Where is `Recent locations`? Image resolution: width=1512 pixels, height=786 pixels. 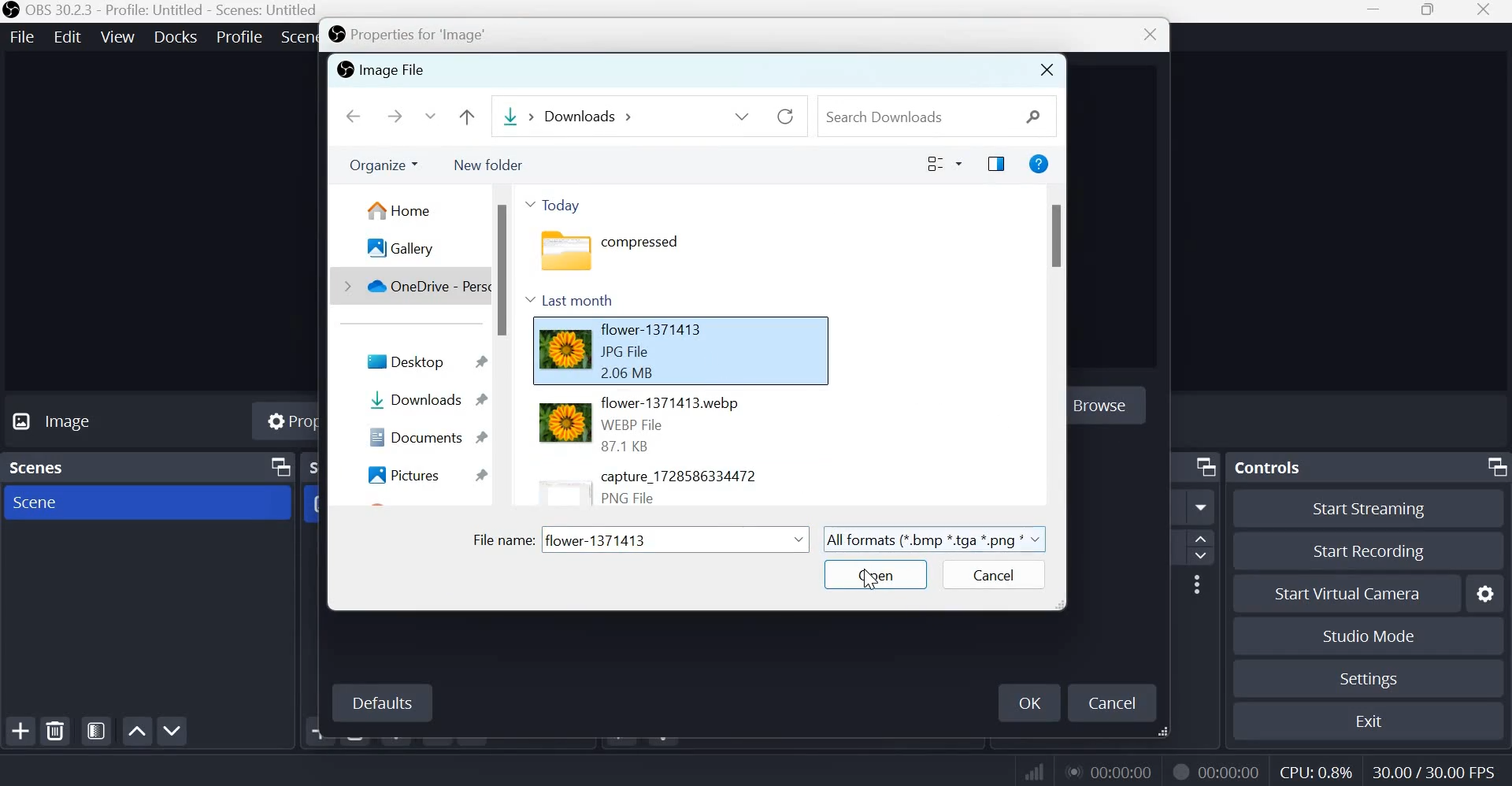
Recent locations is located at coordinates (432, 116).